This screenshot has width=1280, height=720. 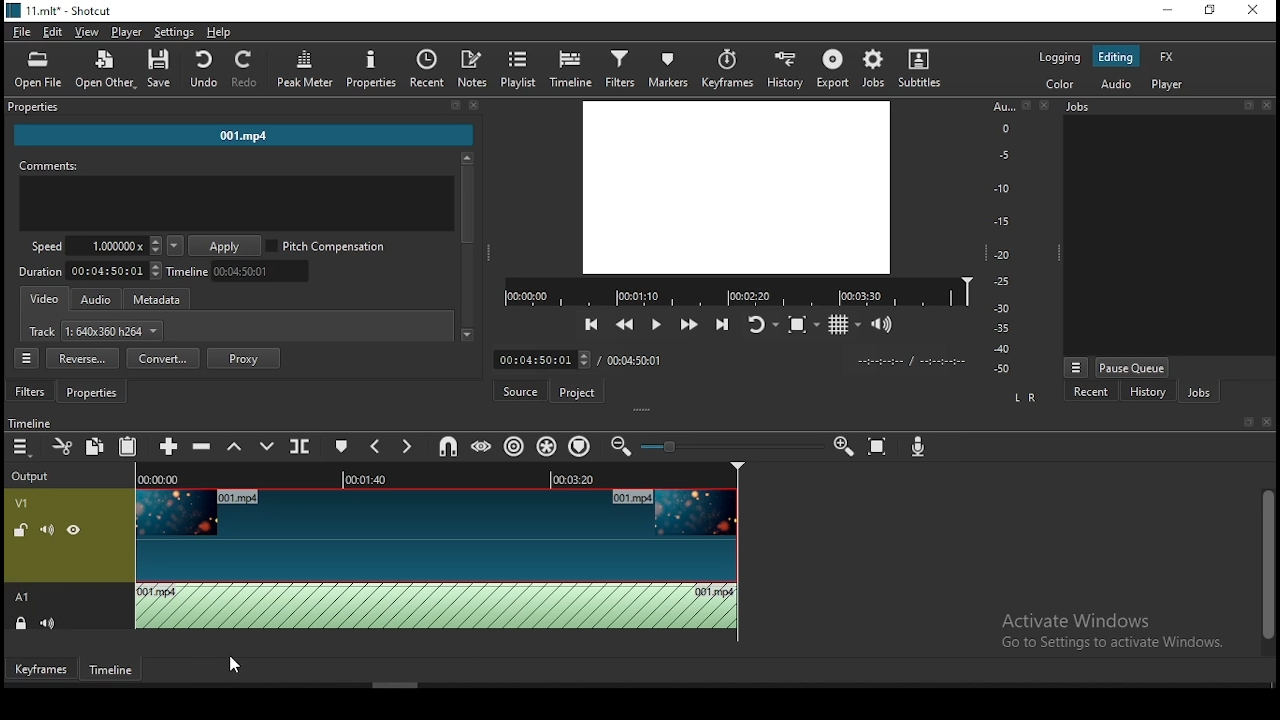 What do you see at coordinates (919, 448) in the screenshot?
I see `record audio` at bounding box center [919, 448].